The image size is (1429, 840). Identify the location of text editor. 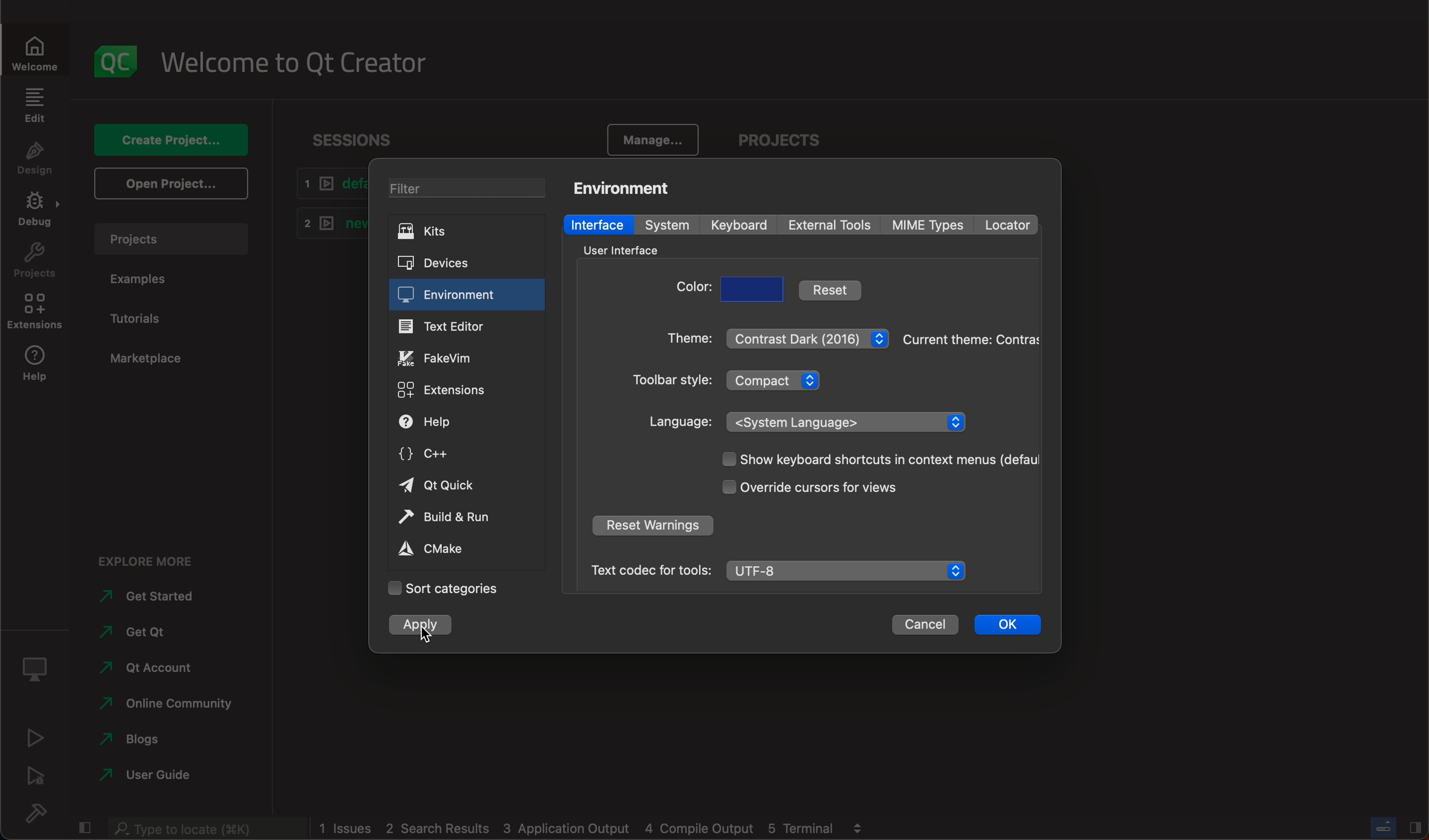
(467, 325).